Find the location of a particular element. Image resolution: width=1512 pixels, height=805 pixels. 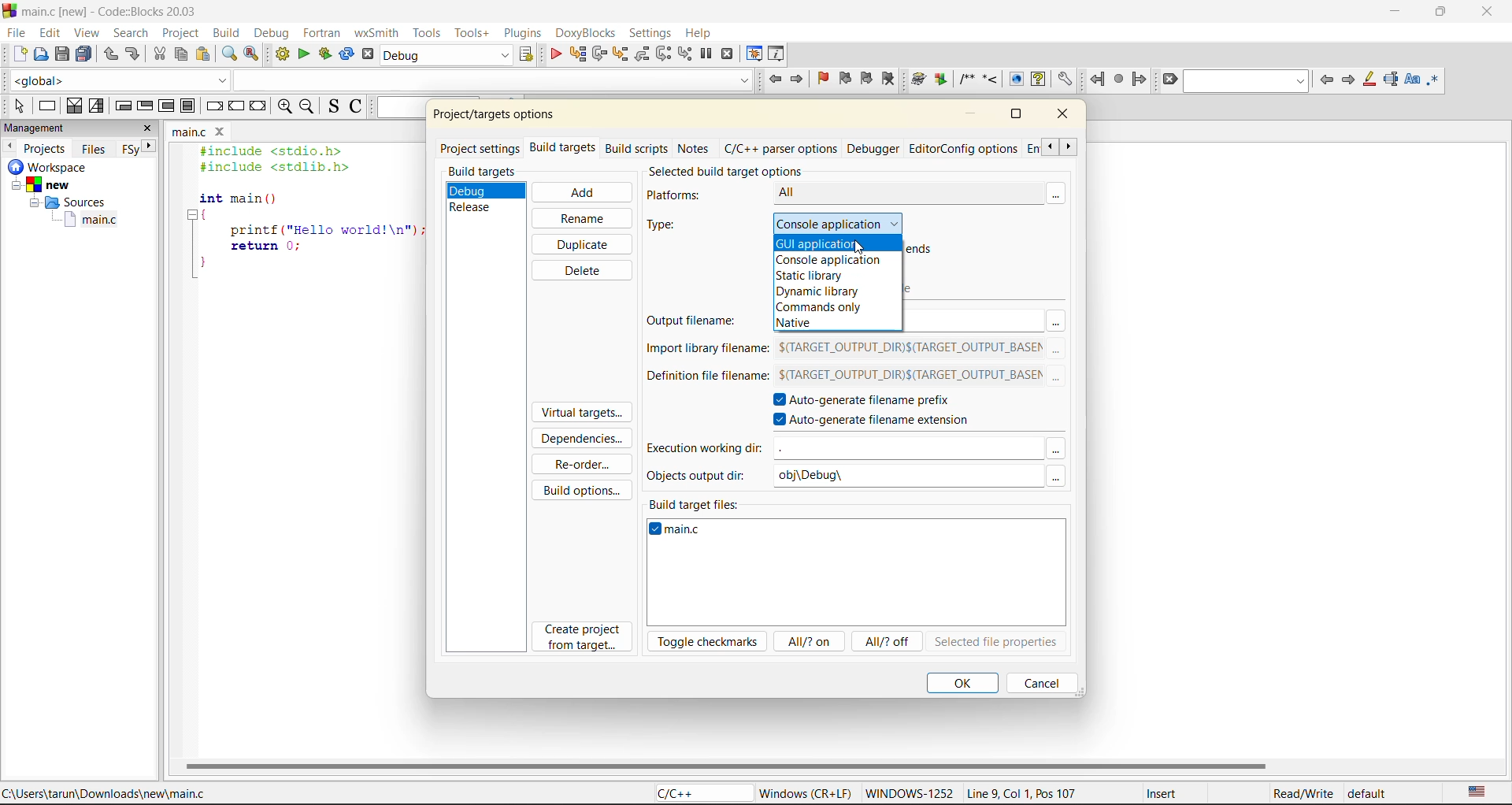

jump back is located at coordinates (774, 81).